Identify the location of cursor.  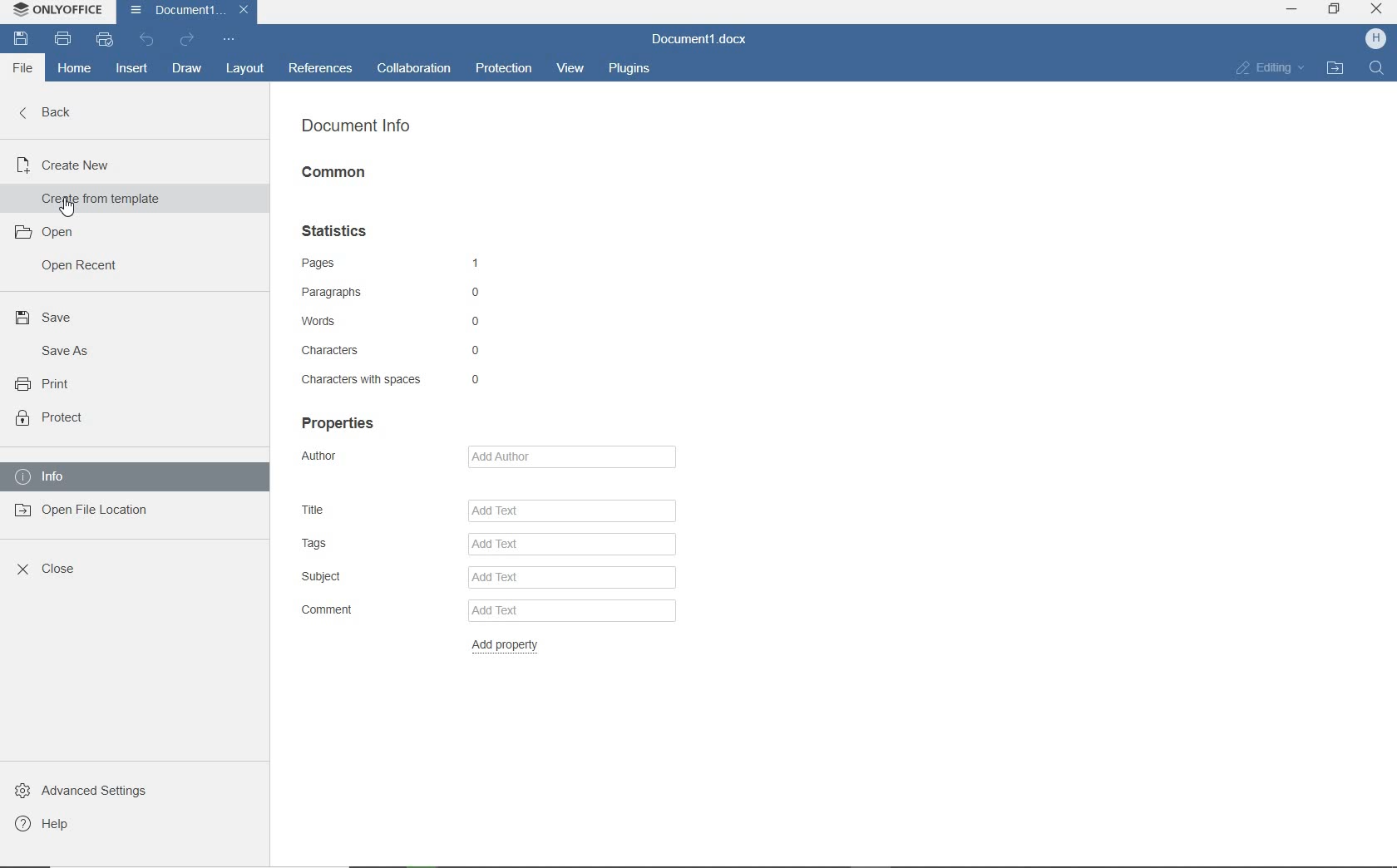
(72, 209).